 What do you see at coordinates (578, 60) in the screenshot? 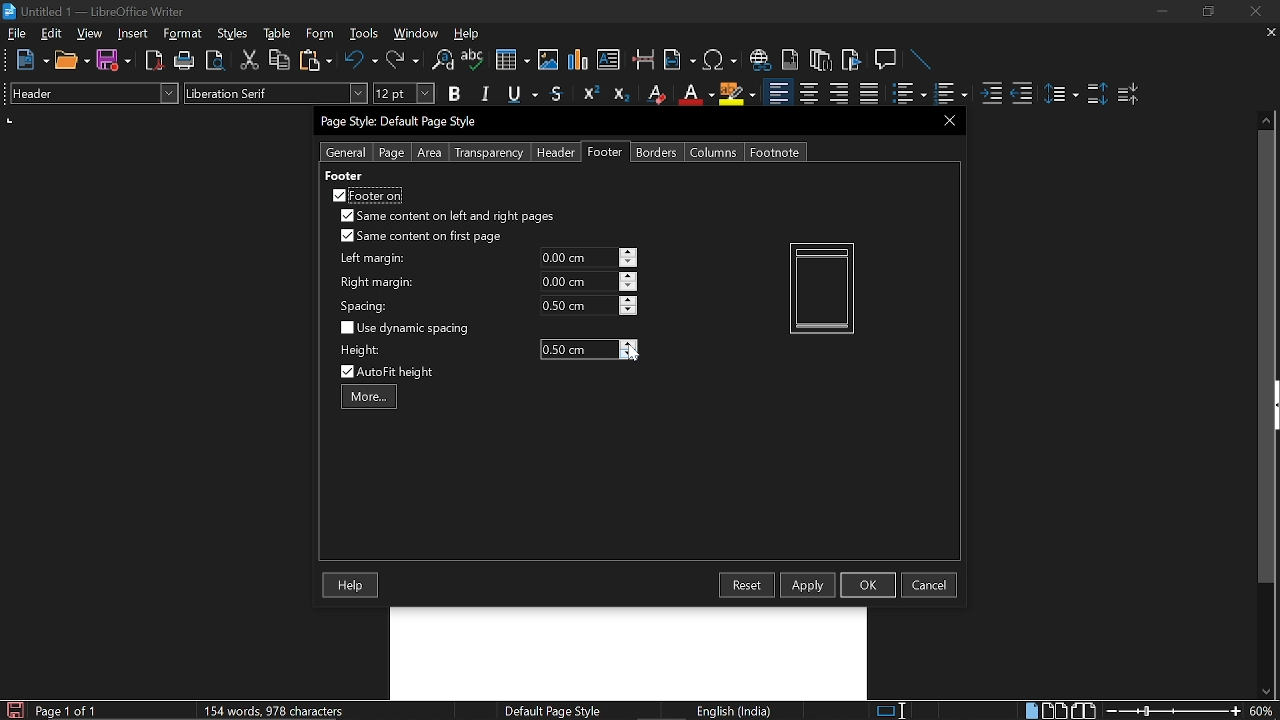
I see `insert diagram` at bounding box center [578, 60].